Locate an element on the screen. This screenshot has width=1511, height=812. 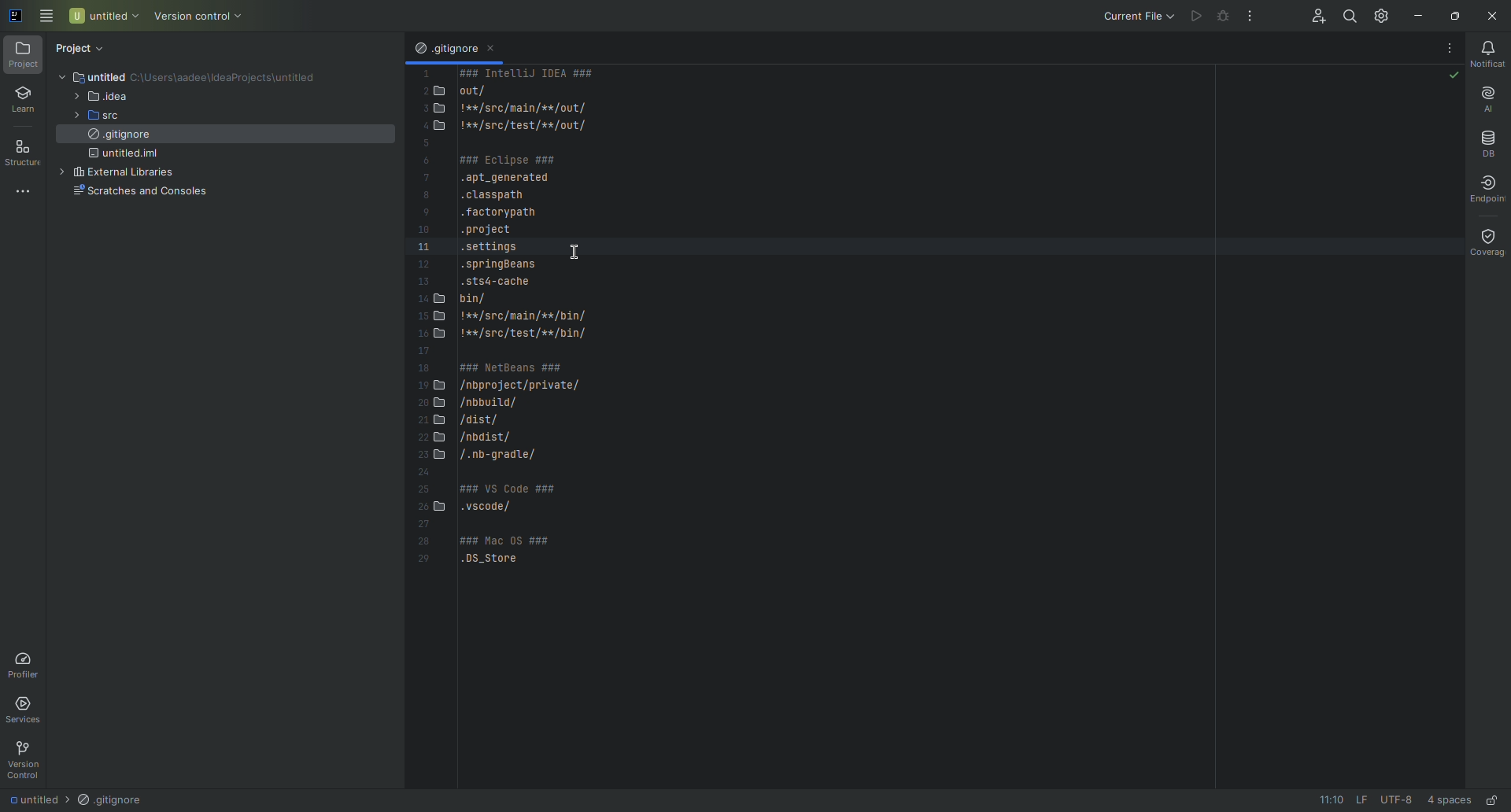
I-beam cursor is located at coordinates (581, 253).